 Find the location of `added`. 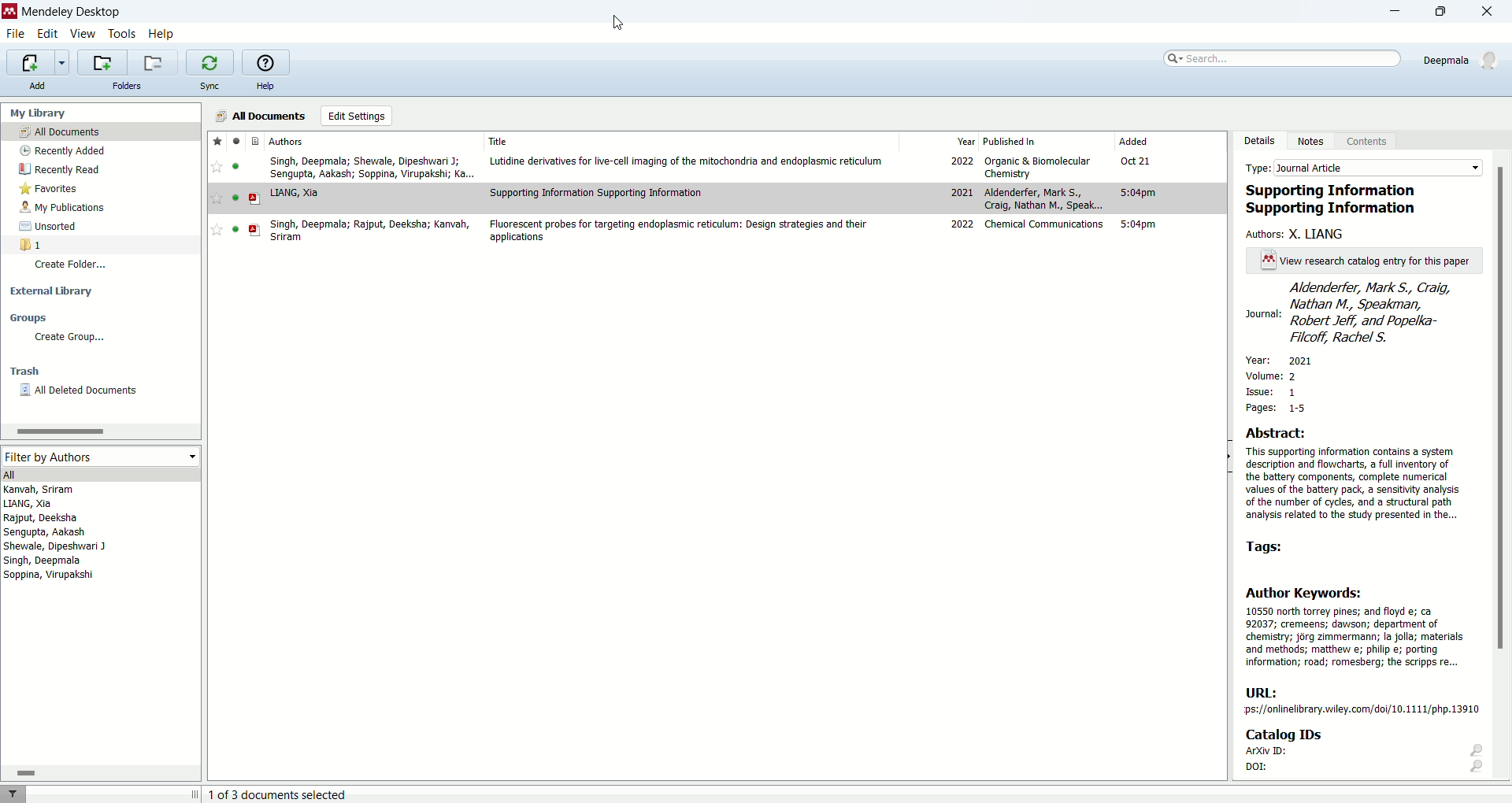

added is located at coordinates (1133, 140).